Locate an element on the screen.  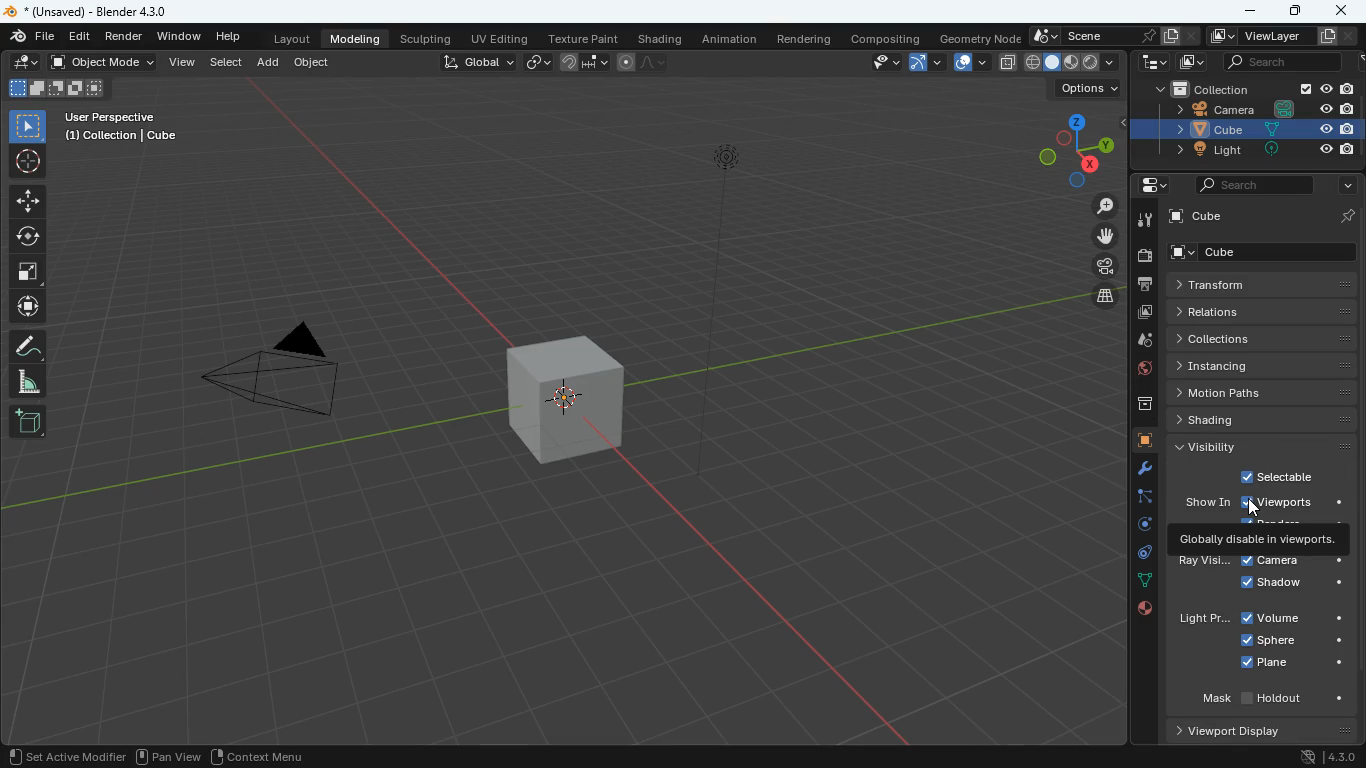
cube is located at coordinates (563, 398).